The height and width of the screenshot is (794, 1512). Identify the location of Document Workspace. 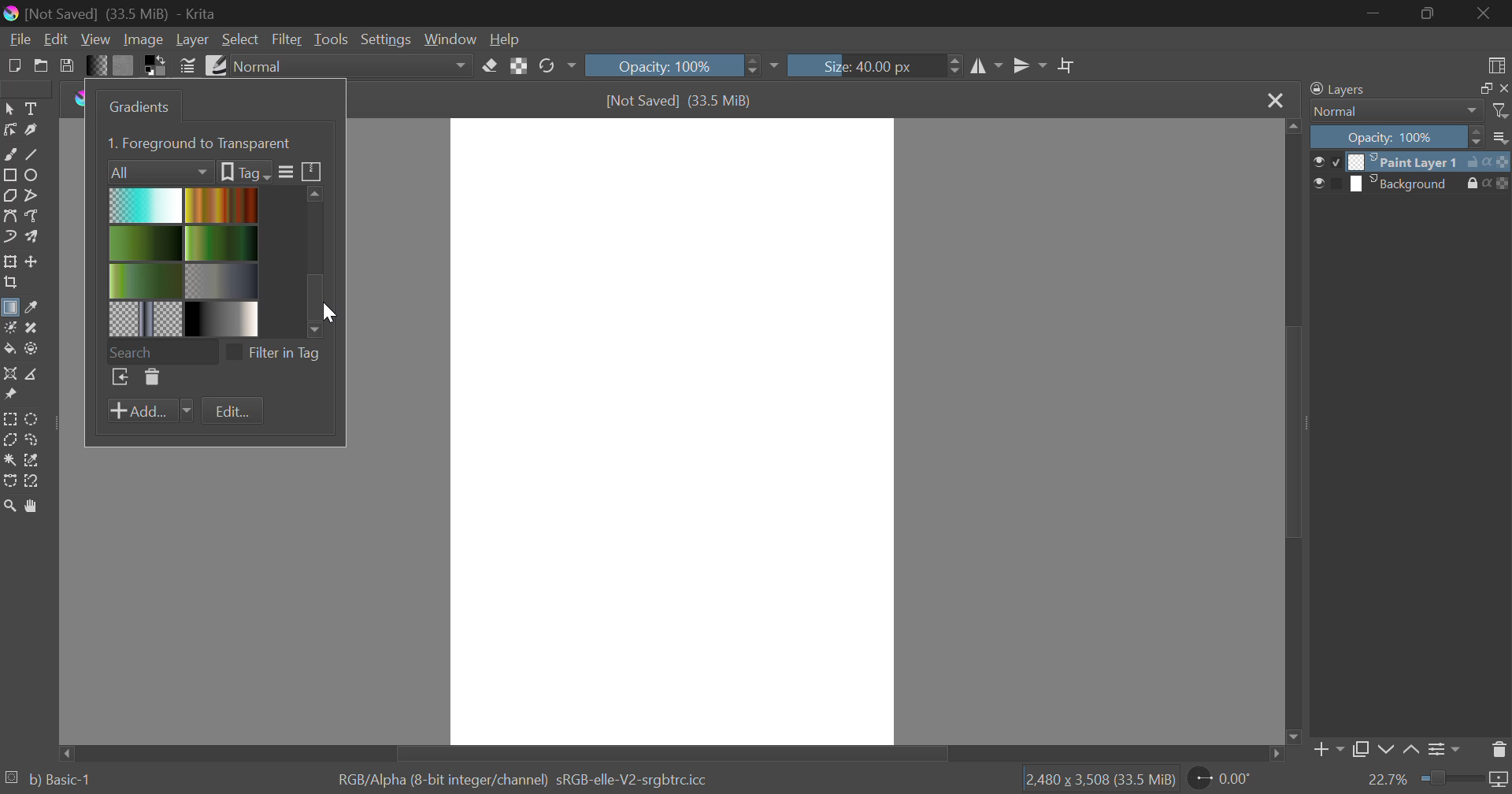
(672, 430).